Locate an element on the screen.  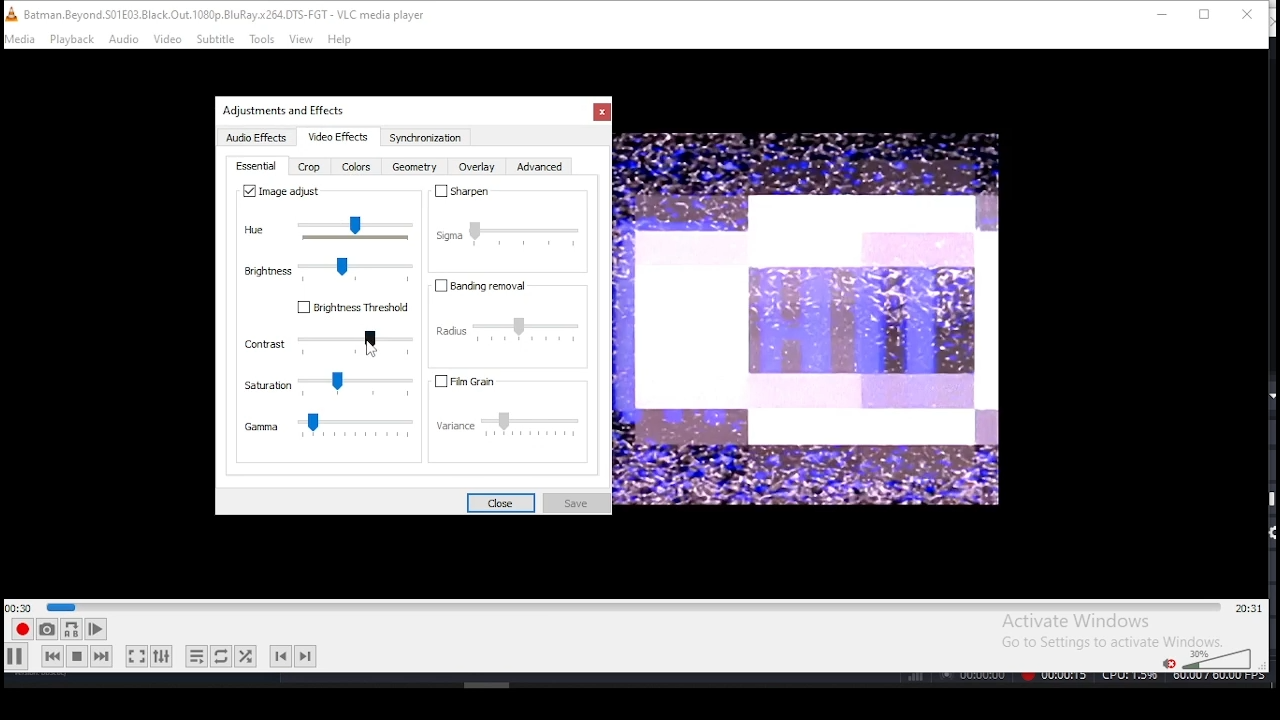
advanced is located at coordinates (540, 170).